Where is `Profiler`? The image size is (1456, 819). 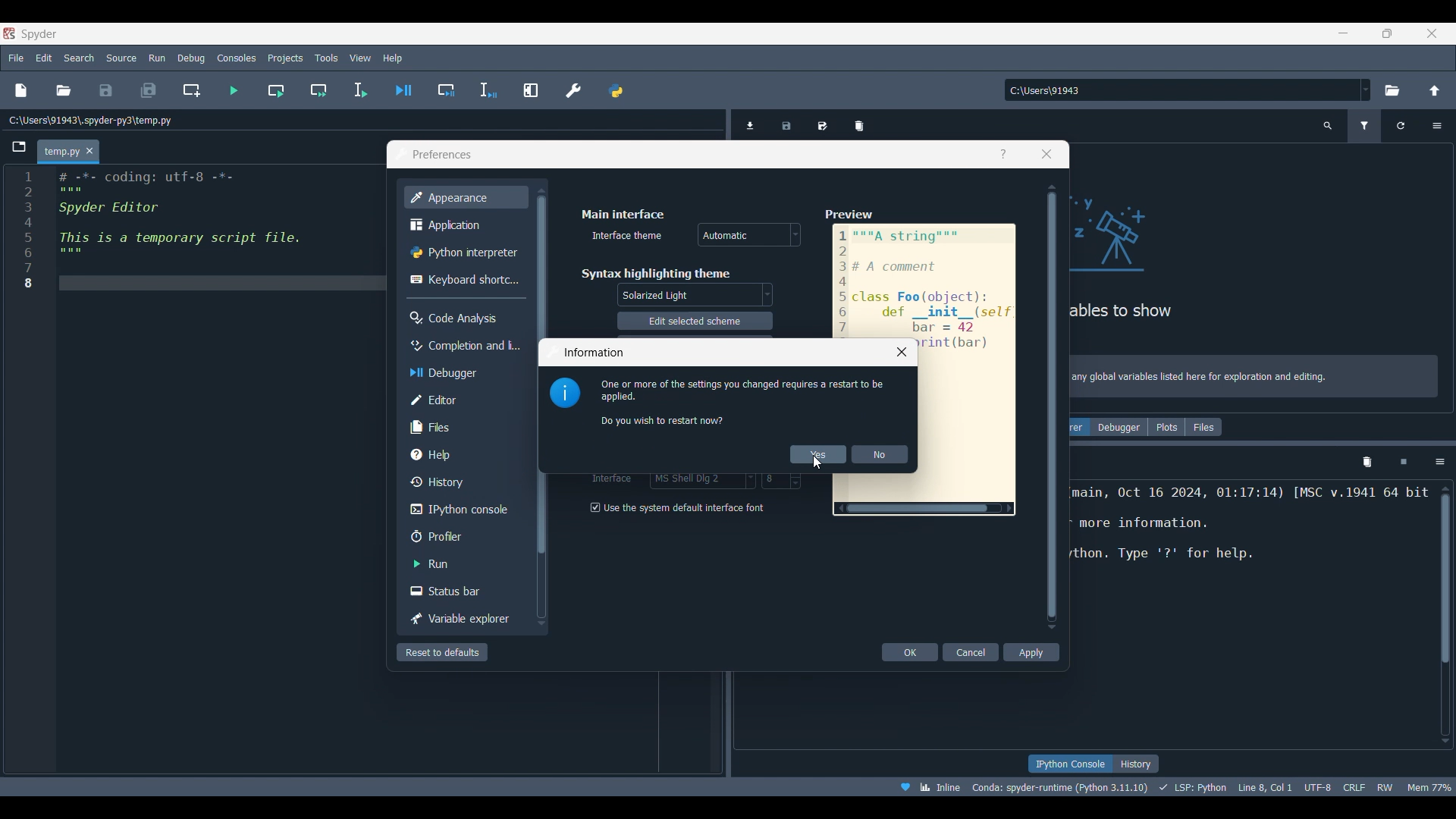 Profiler is located at coordinates (463, 536).